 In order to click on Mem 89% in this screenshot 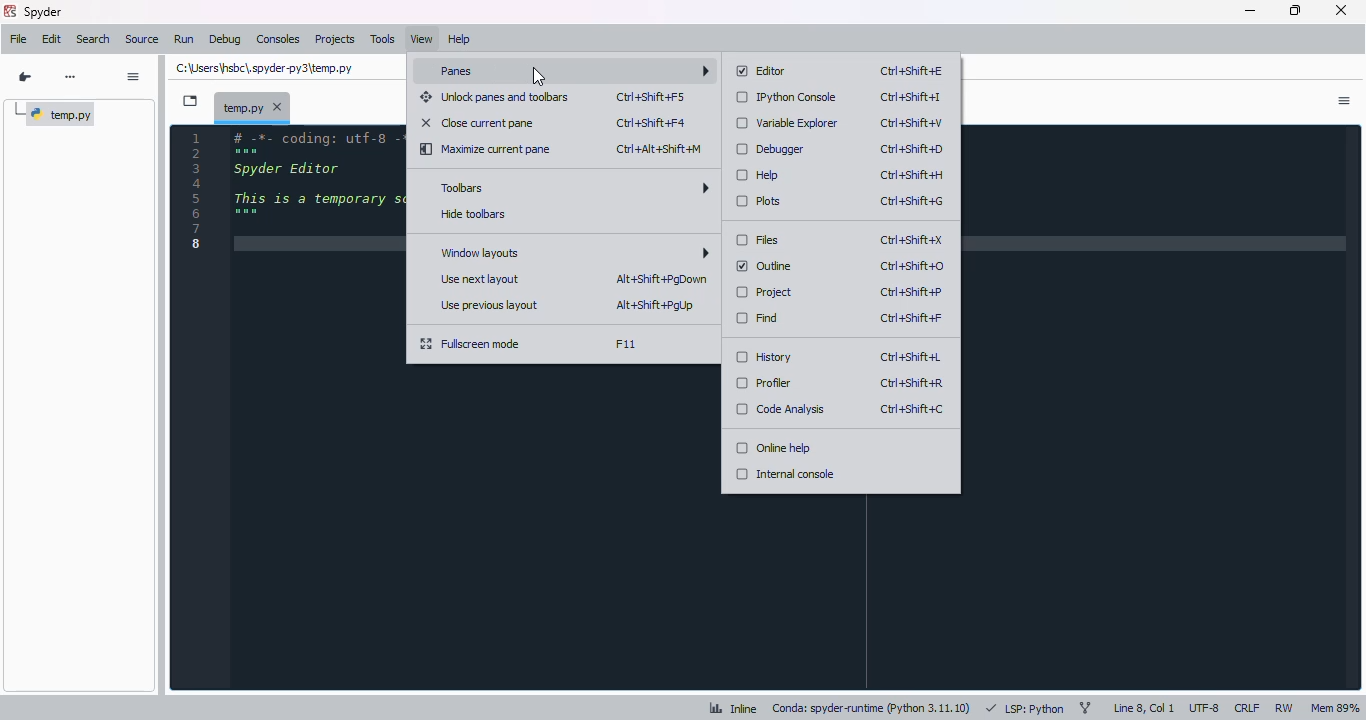, I will do `click(1335, 708)`.